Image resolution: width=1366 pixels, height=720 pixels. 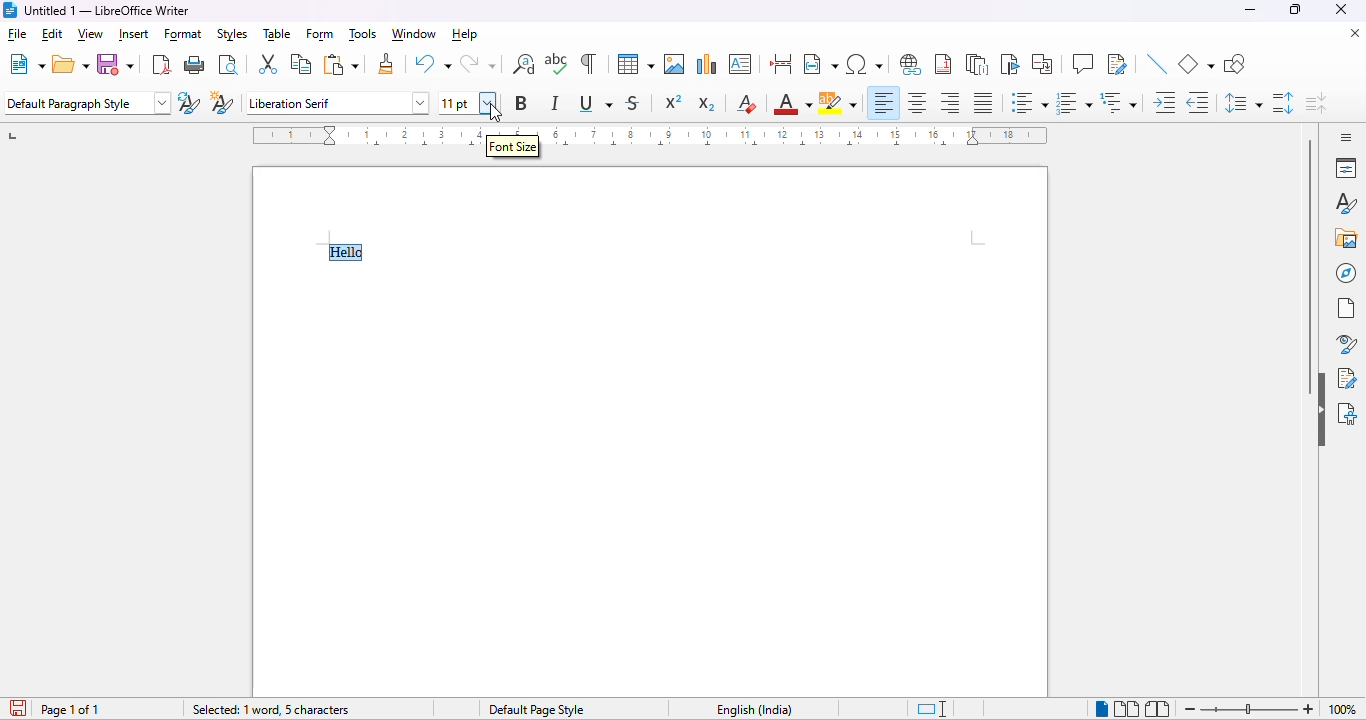 I want to click on zoom in, so click(x=1307, y=708).